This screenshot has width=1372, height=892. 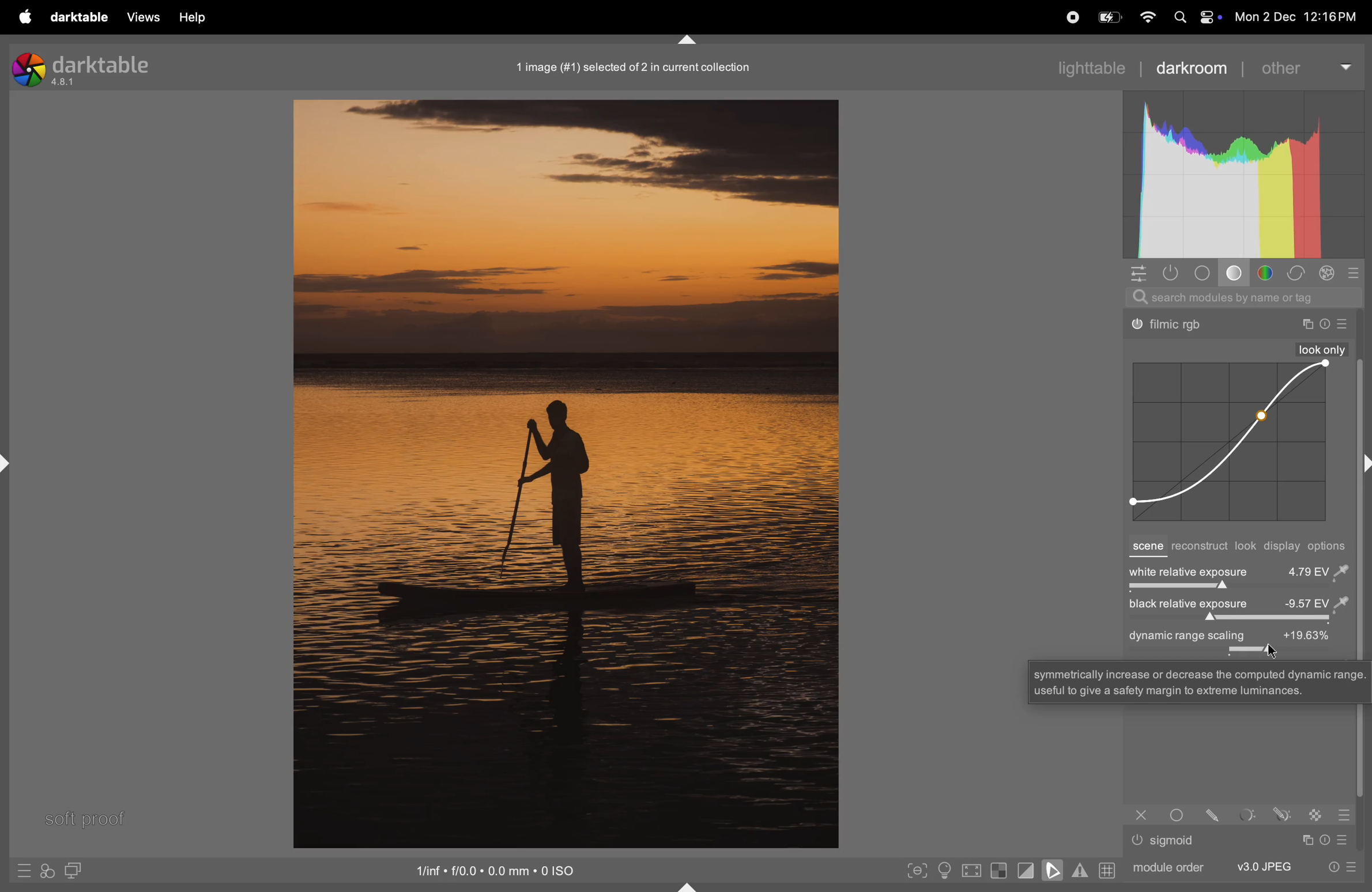 What do you see at coordinates (1206, 273) in the screenshot?
I see `tone ` at bounding box center [1206, 273].